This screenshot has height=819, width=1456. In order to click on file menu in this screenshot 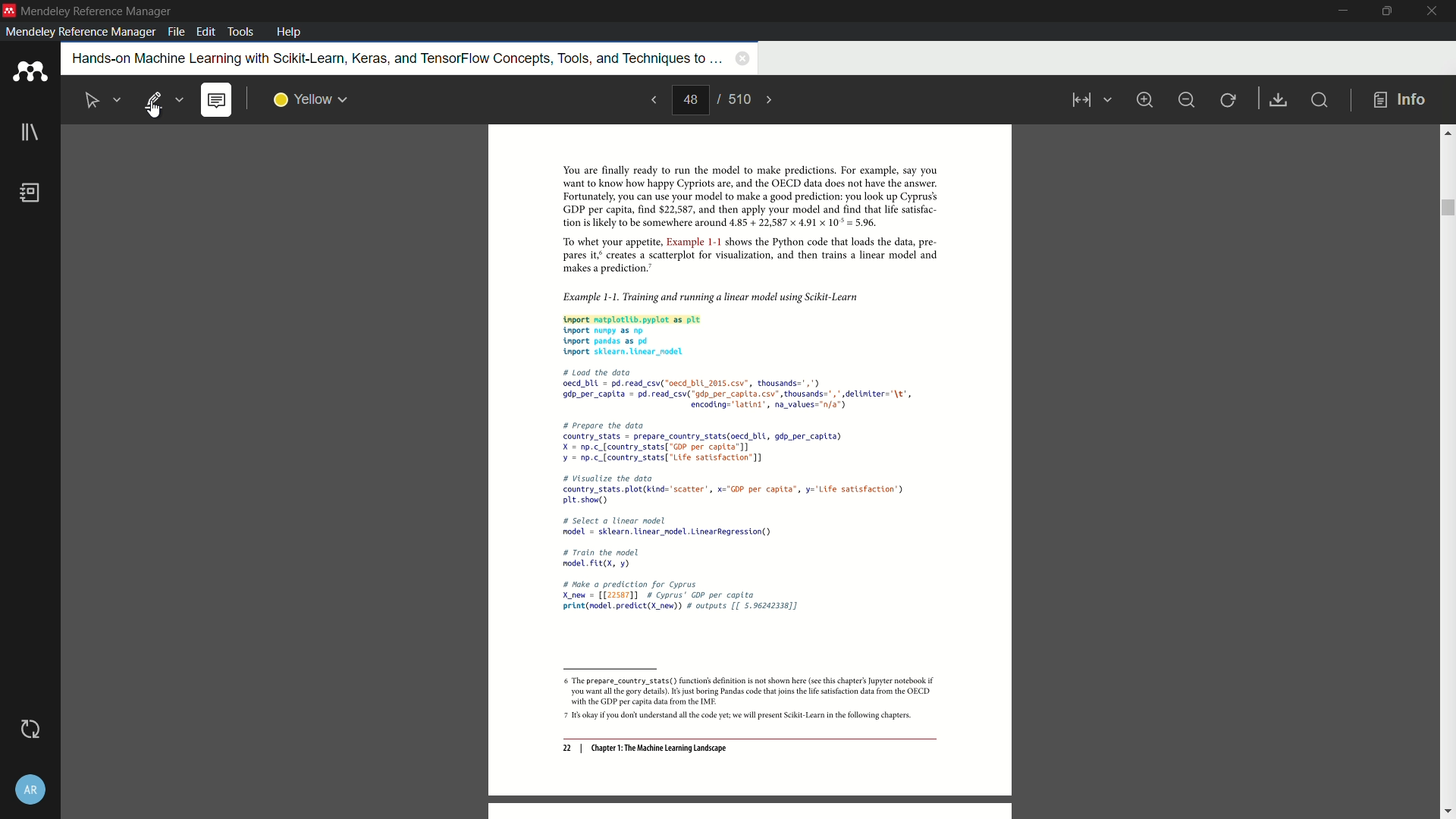, I will do `click(176, 32)`.